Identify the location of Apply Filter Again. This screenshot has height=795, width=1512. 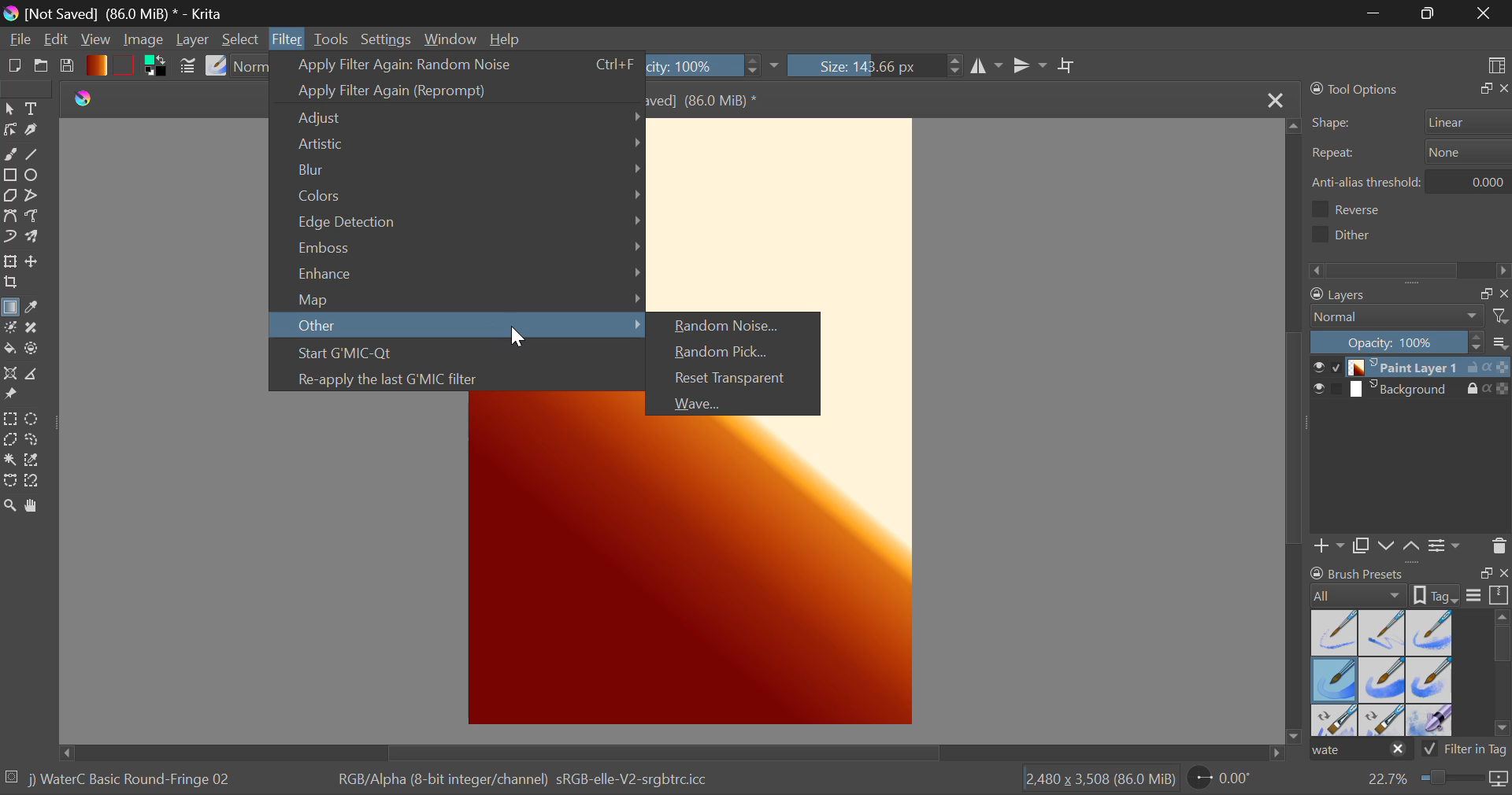
(457, 65).